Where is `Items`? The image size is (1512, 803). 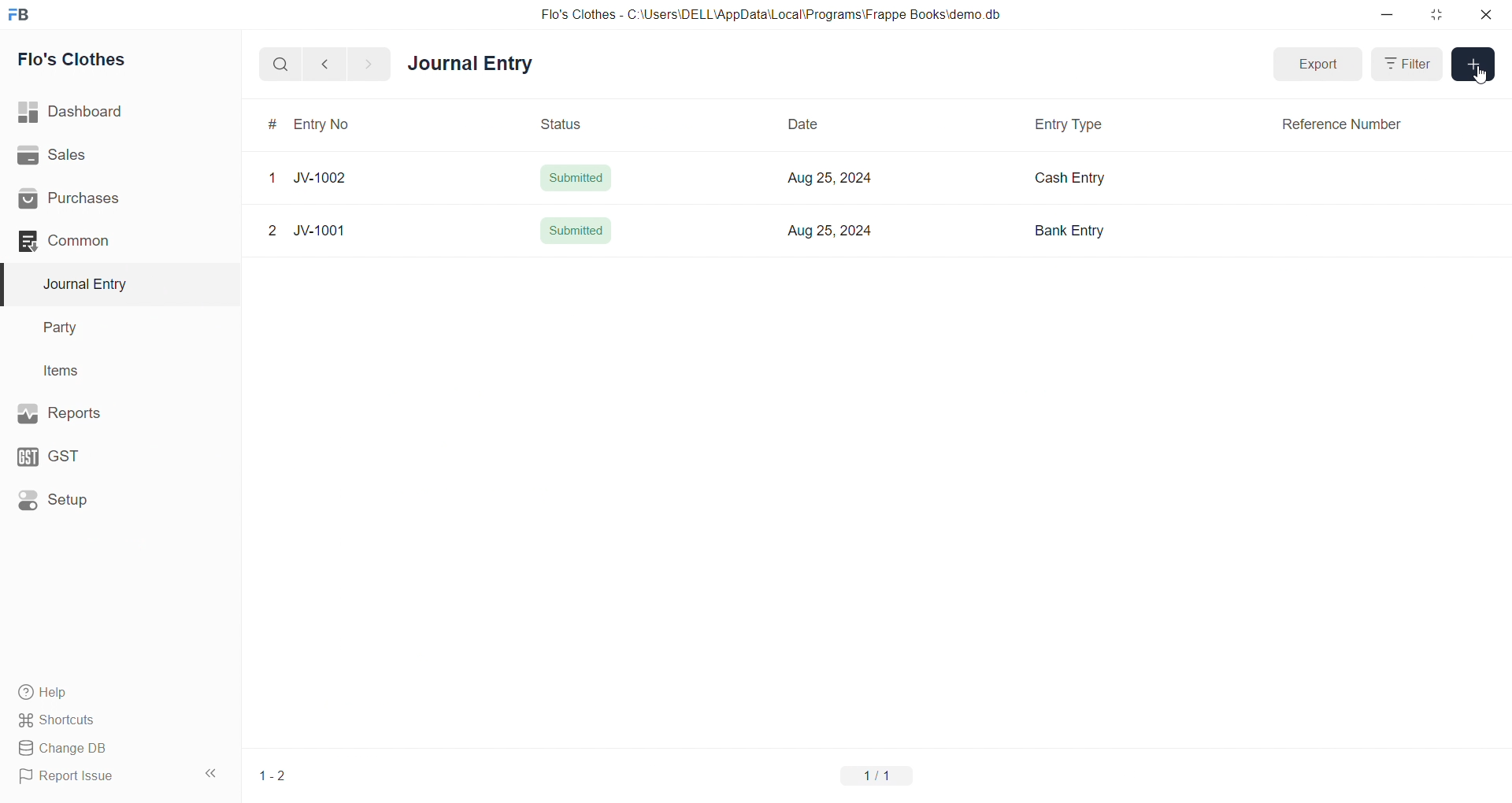
Items is located at coordinates (109, 372).